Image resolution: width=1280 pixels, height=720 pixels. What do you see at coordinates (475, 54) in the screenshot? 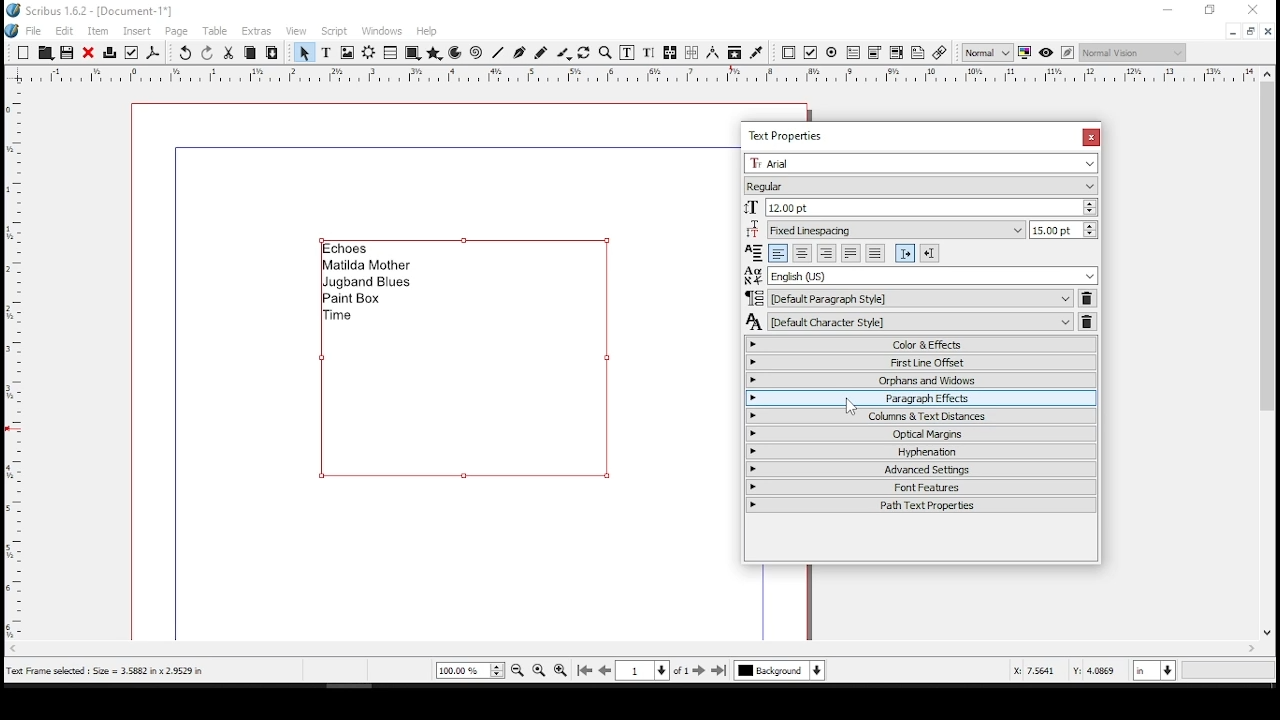
I see `spiral` at bounding box center [475, 54].